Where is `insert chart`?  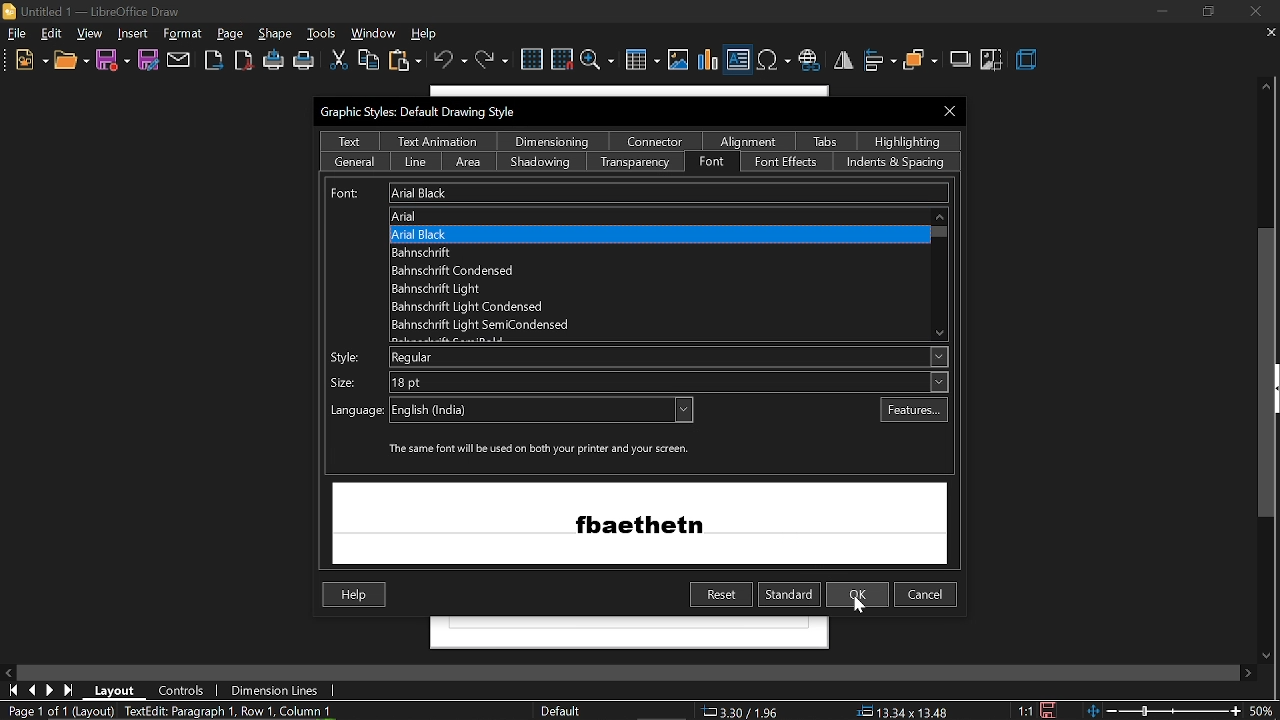 insert chart is located at coordinates (709, 61).